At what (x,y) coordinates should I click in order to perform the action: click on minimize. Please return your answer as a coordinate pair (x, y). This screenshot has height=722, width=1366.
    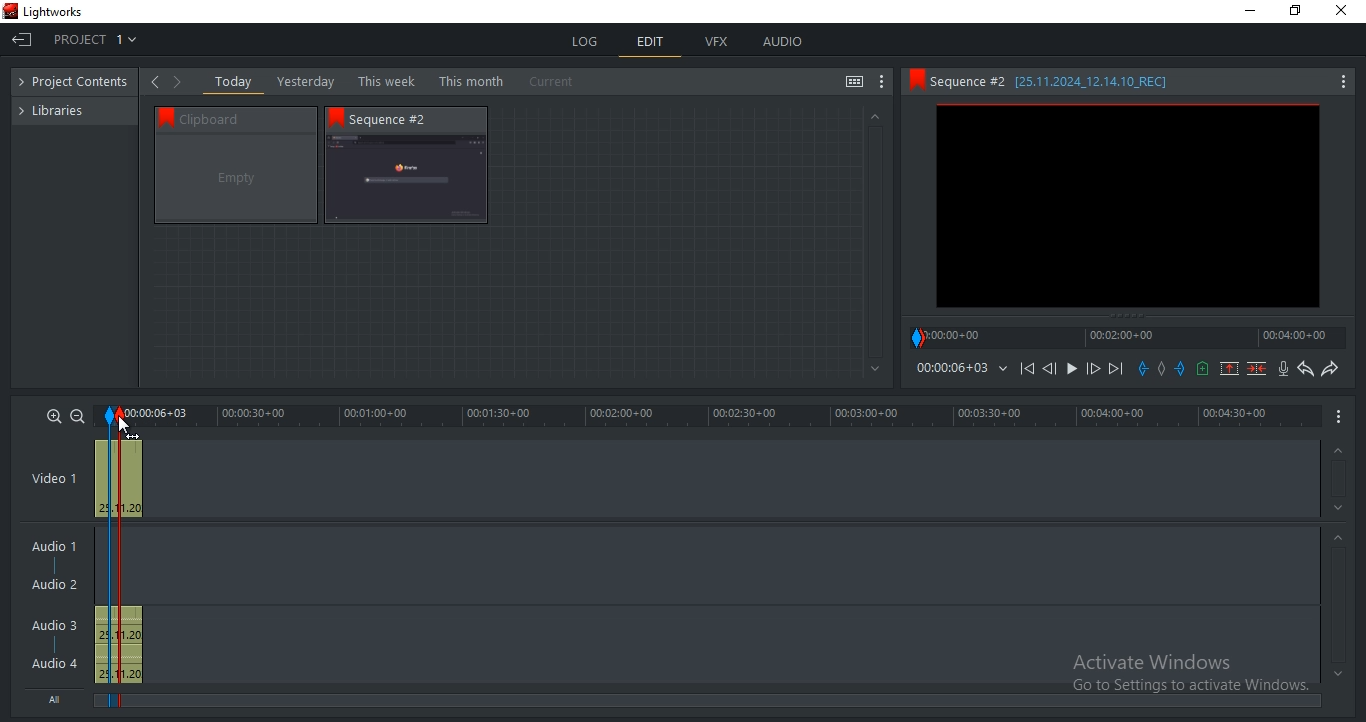
    Looking at the image, I should click on (1251, 11).